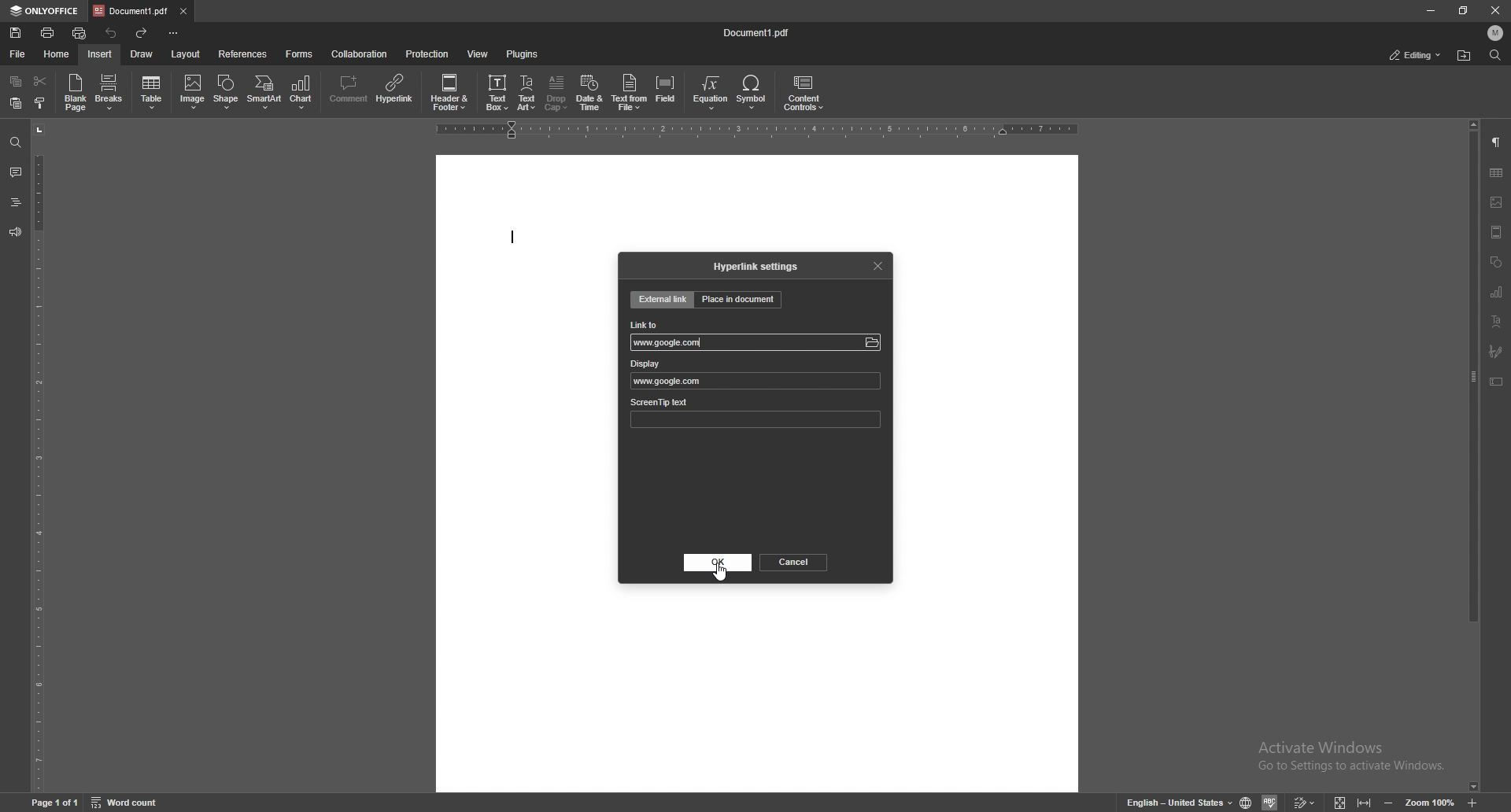 The height and width of the screenshot is (812, 1511). Describe the element at coordinates (1365, 803) in the screenshot. I see `fit to width` at that location.